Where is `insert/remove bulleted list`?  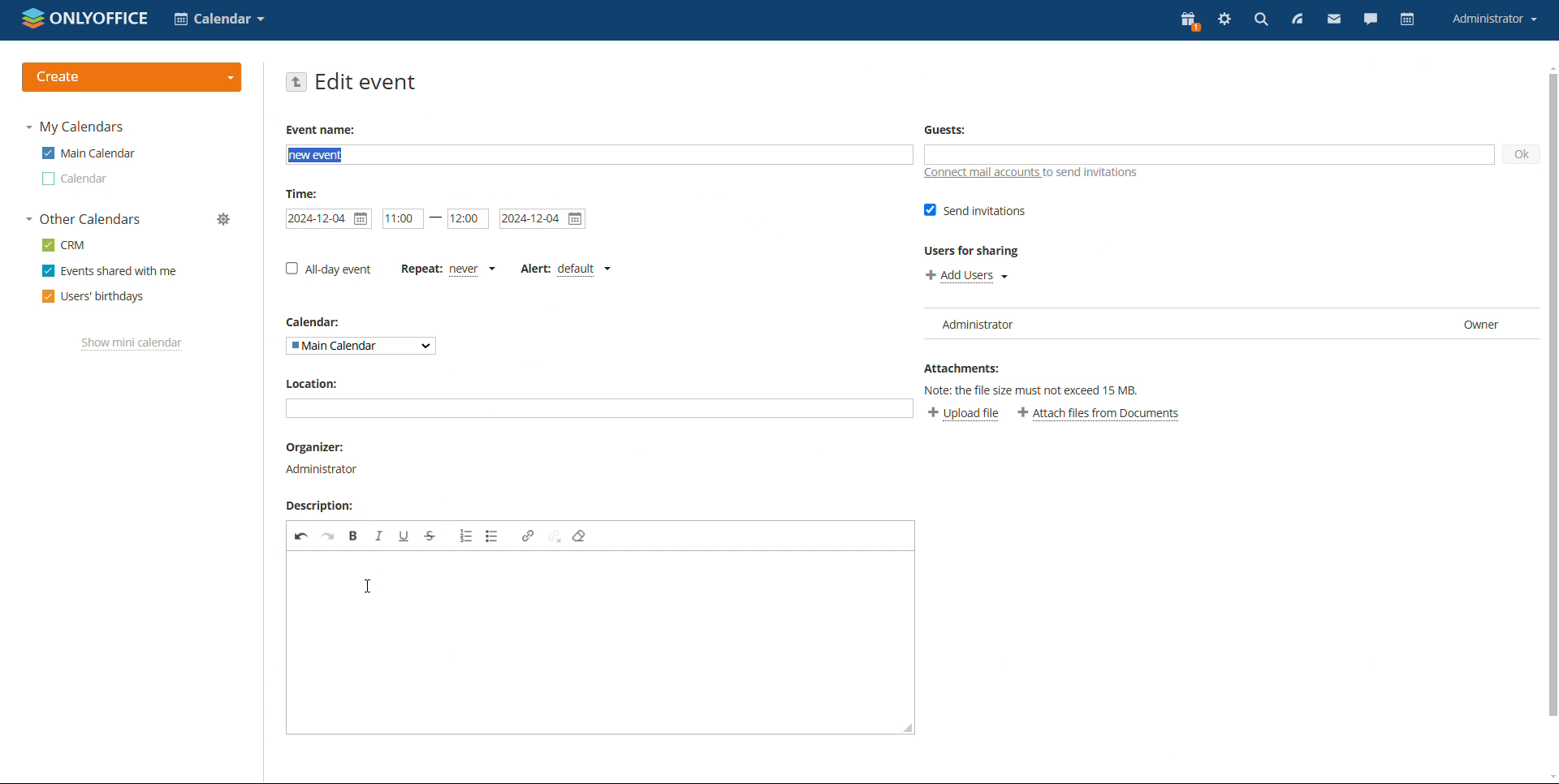 insert/remove bulleted list is located at coordinates (493, 536).